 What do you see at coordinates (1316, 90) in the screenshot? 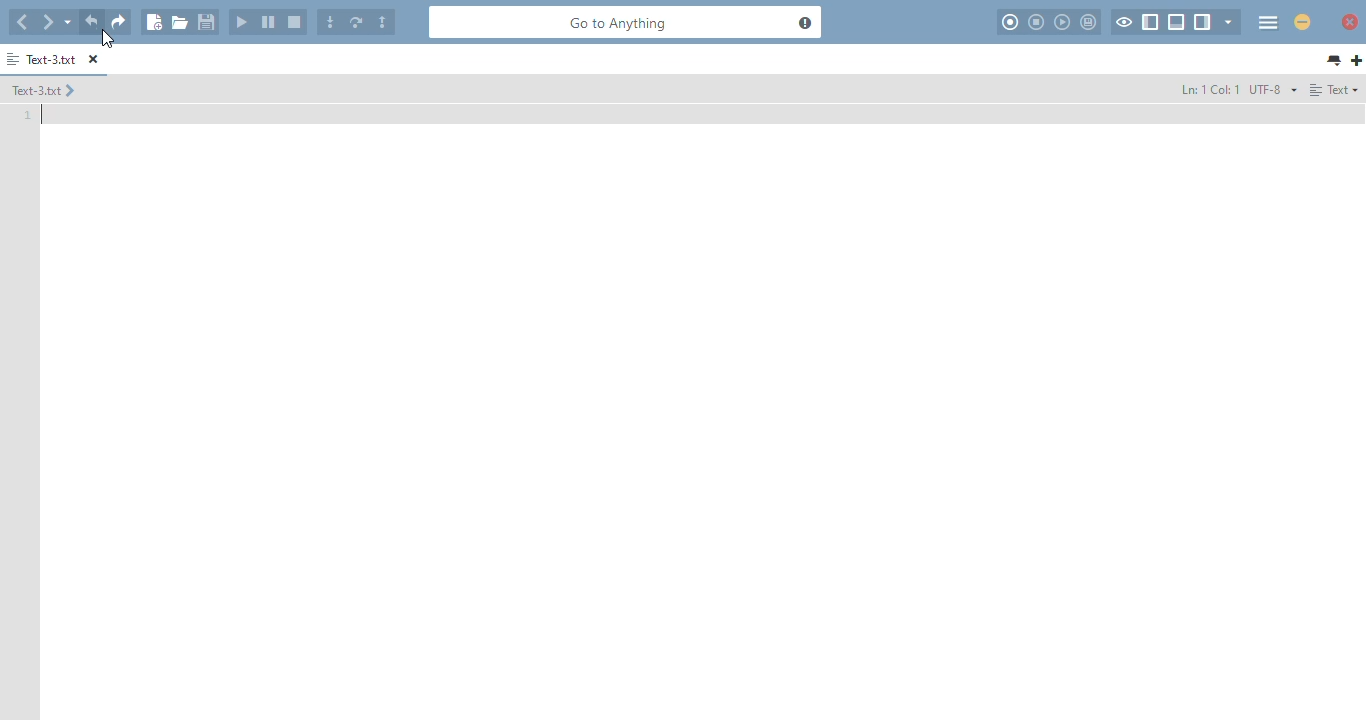
I see `Align left` at bounding box center [1316, 90].